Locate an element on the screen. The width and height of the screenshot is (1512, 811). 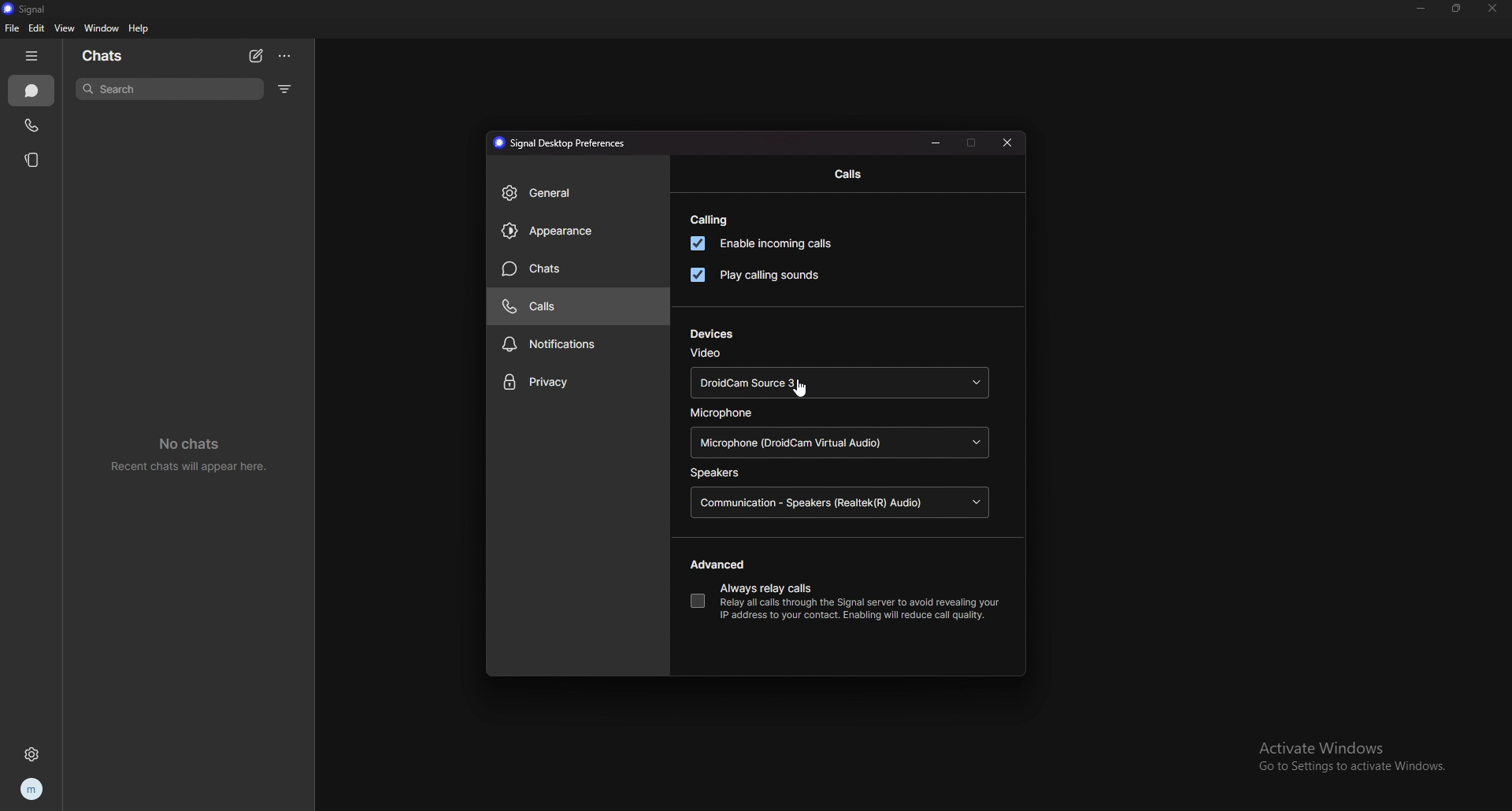
info is located at coordinates (859, 609).